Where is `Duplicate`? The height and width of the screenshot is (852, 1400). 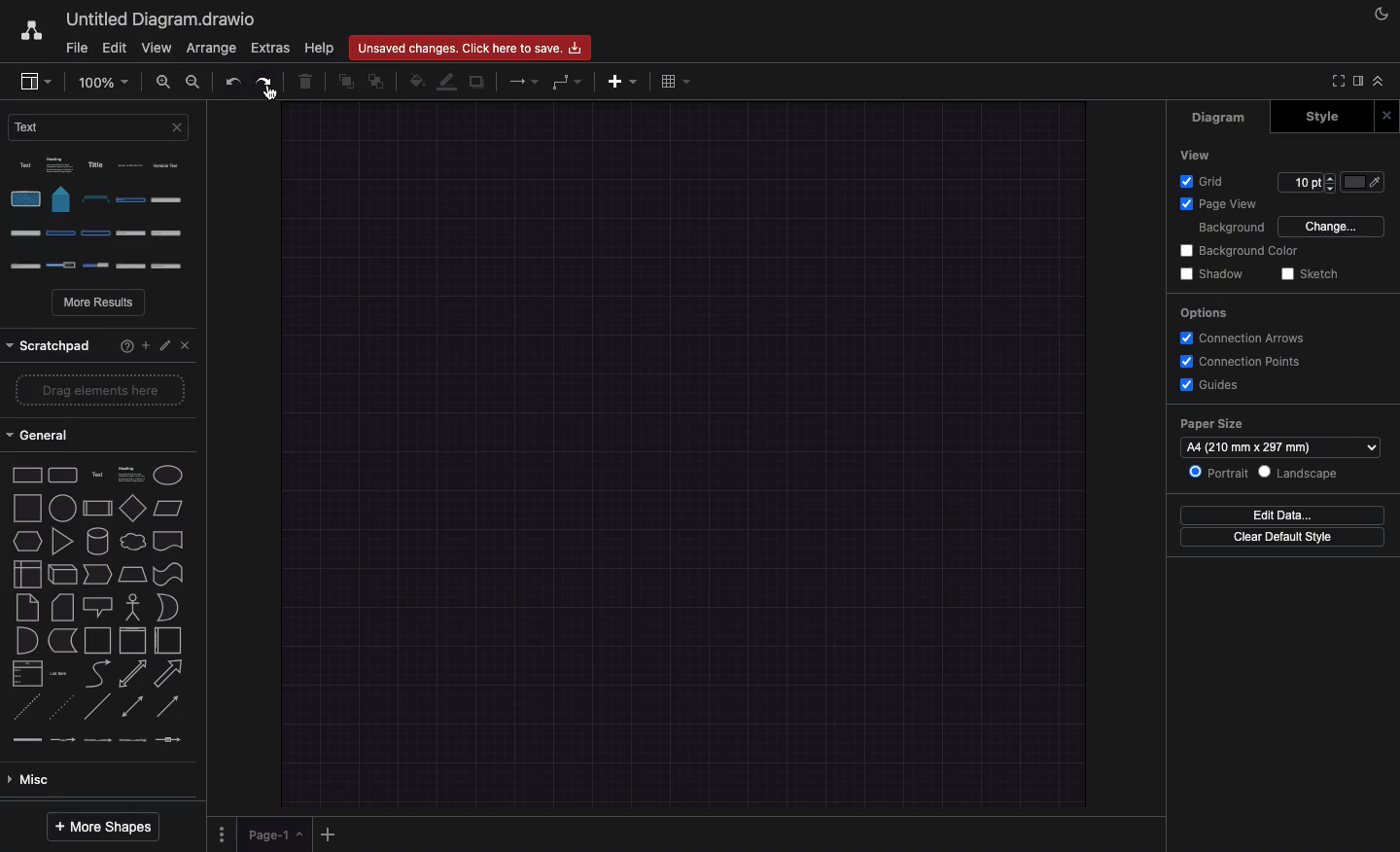 Duplicate is located at coordinates (478, 83).